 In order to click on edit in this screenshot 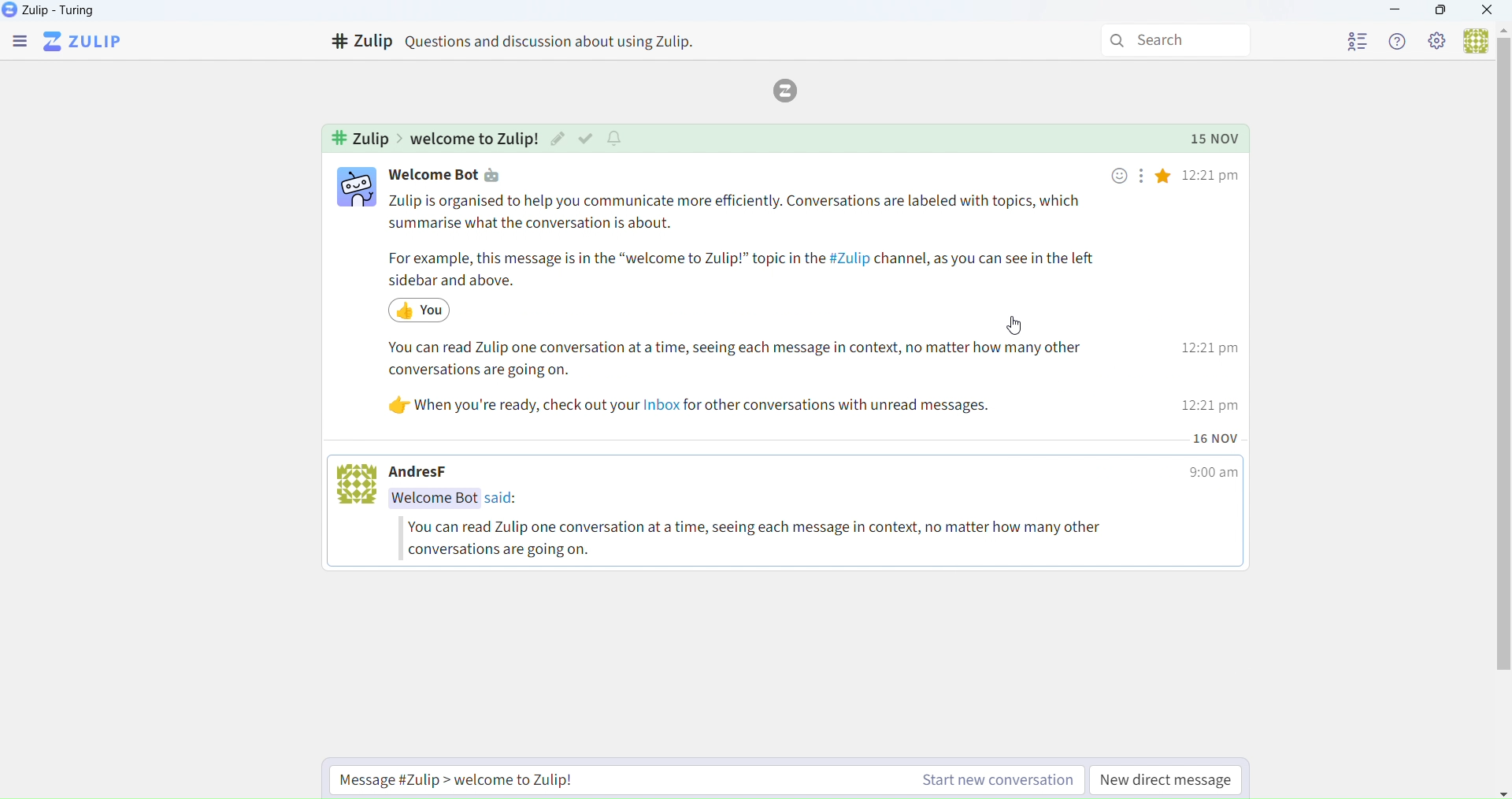, I will do `click(558, 139)`.